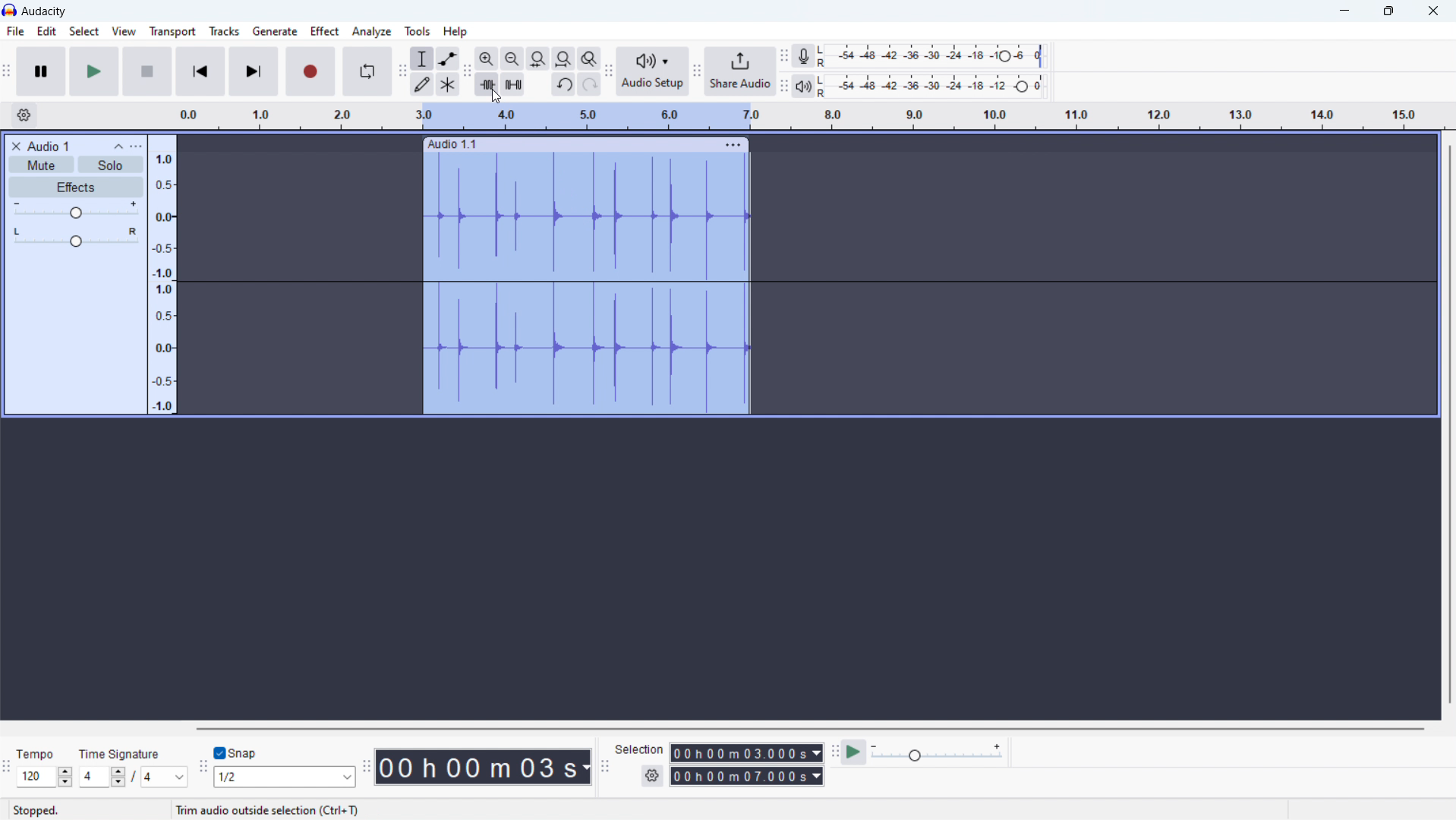 The height and width of the screenshot is (820, 1456). Describe the element at coordinates (41, 165) in the screenshot. I see `mute` at that location.